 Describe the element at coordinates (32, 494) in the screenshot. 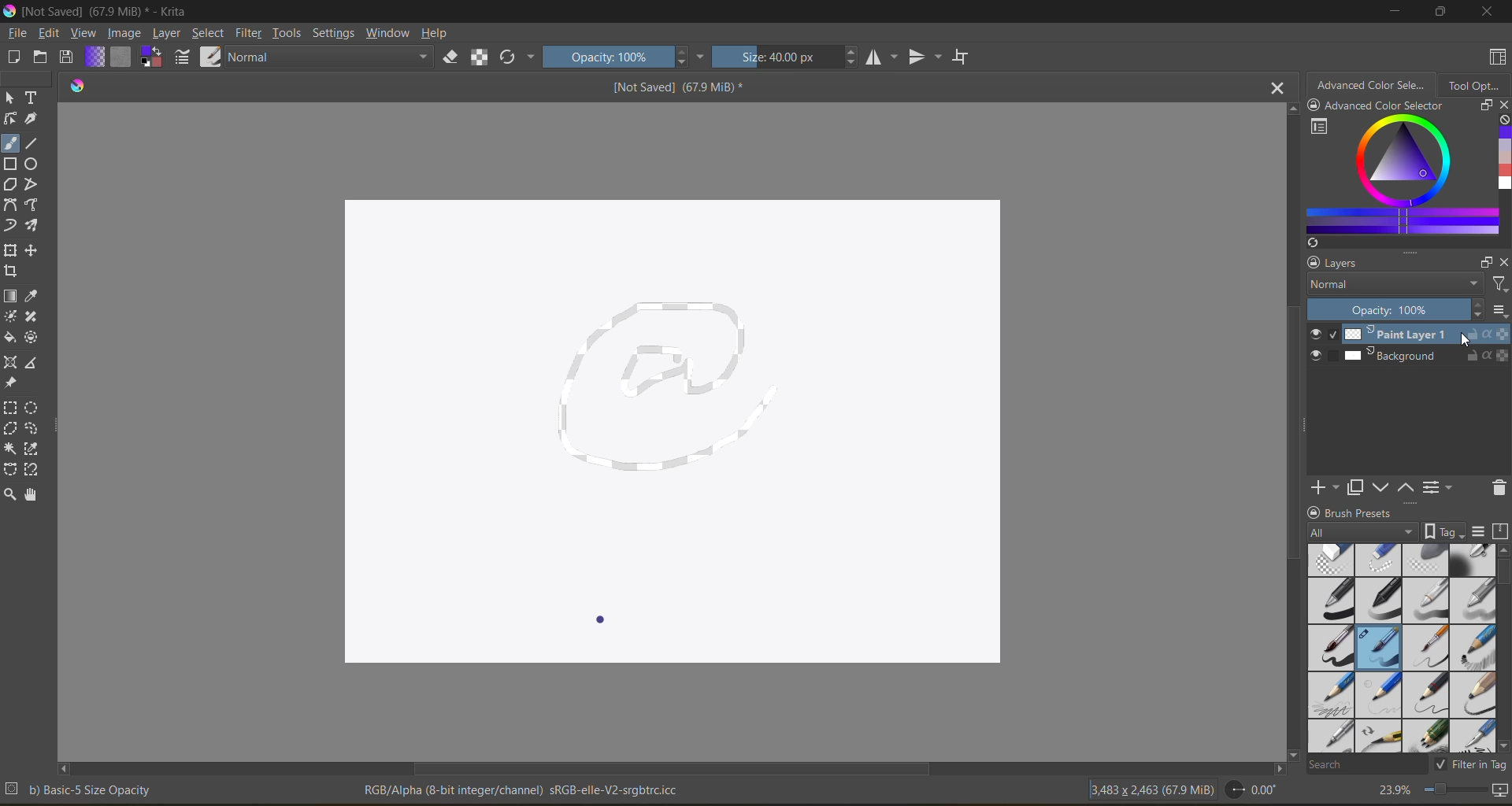

I see `pan tool` at that location.